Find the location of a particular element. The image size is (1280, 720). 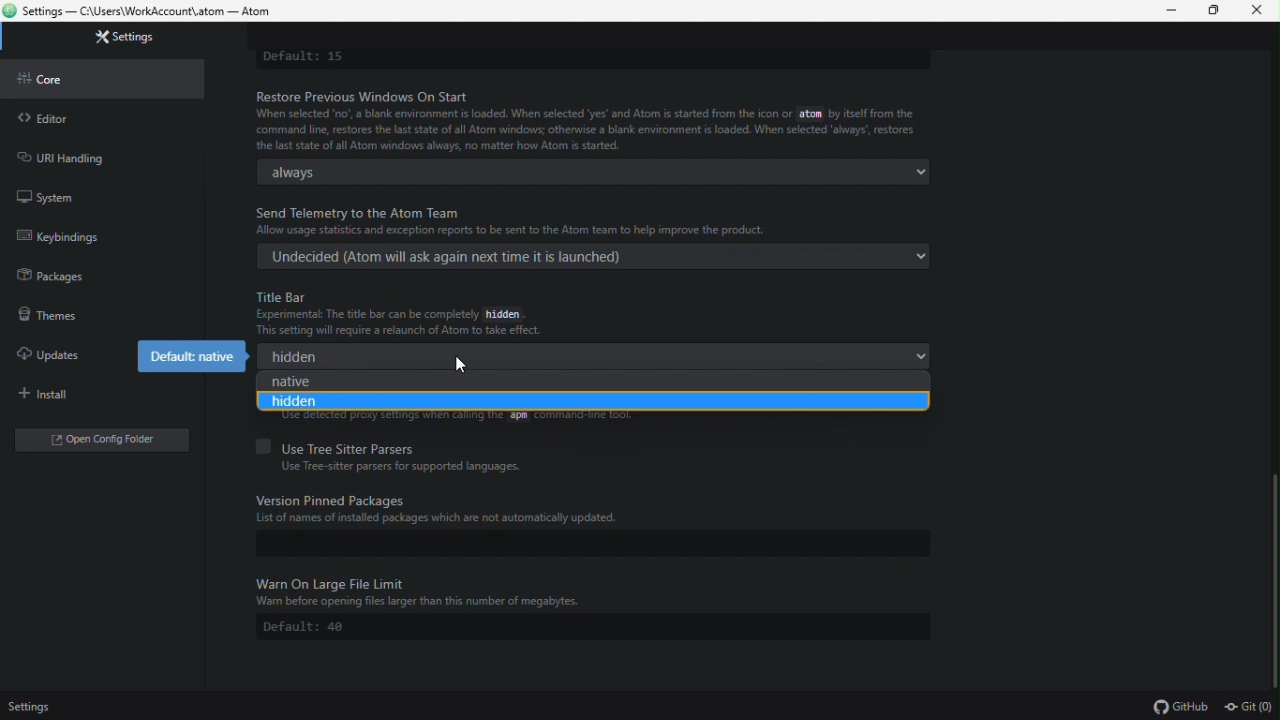

Use Tree Sitter Parsers is located at coordinates (341, 447).